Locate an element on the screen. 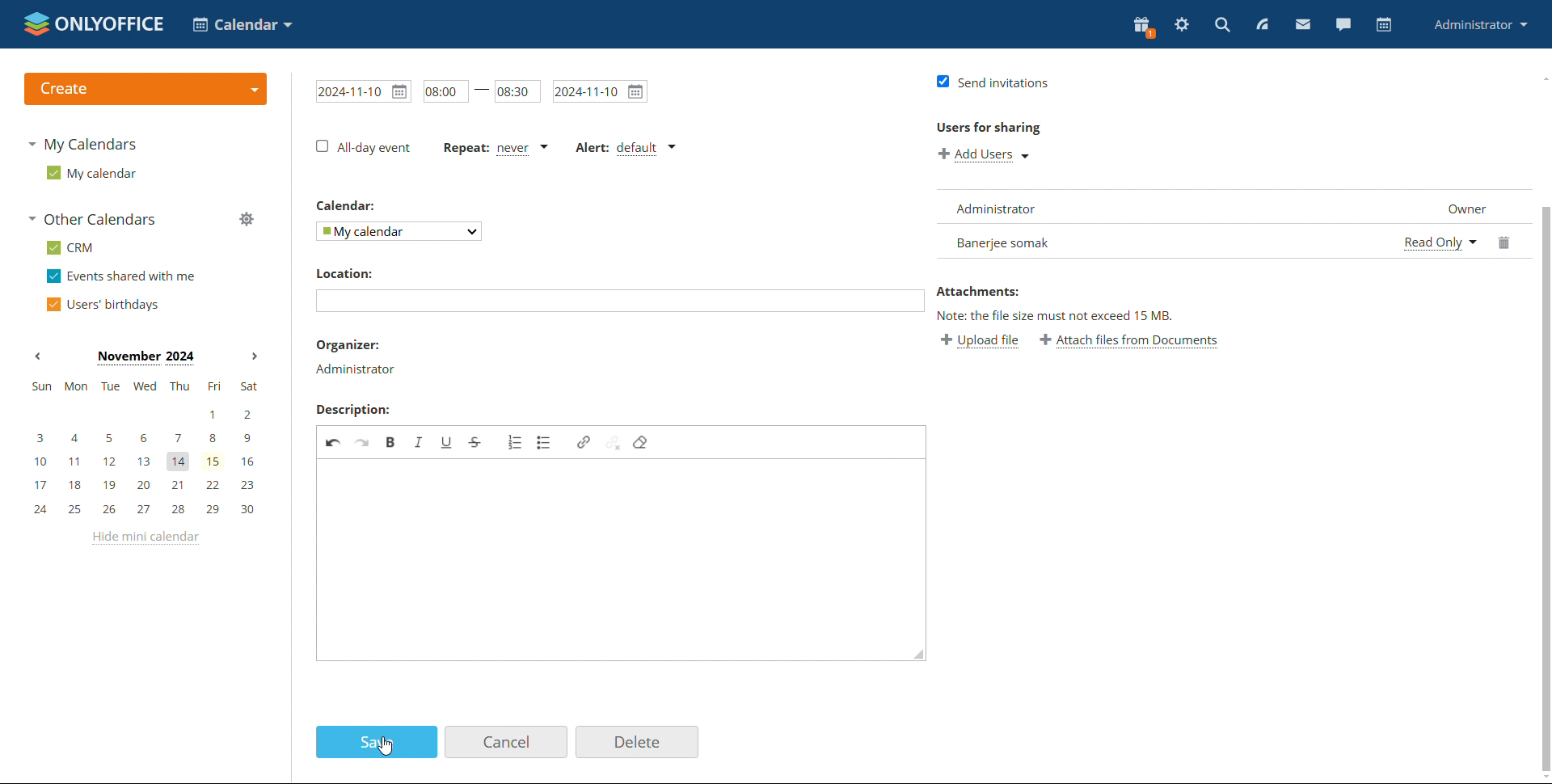  insert/remove bulleted list is located at coordinates (548, 446).